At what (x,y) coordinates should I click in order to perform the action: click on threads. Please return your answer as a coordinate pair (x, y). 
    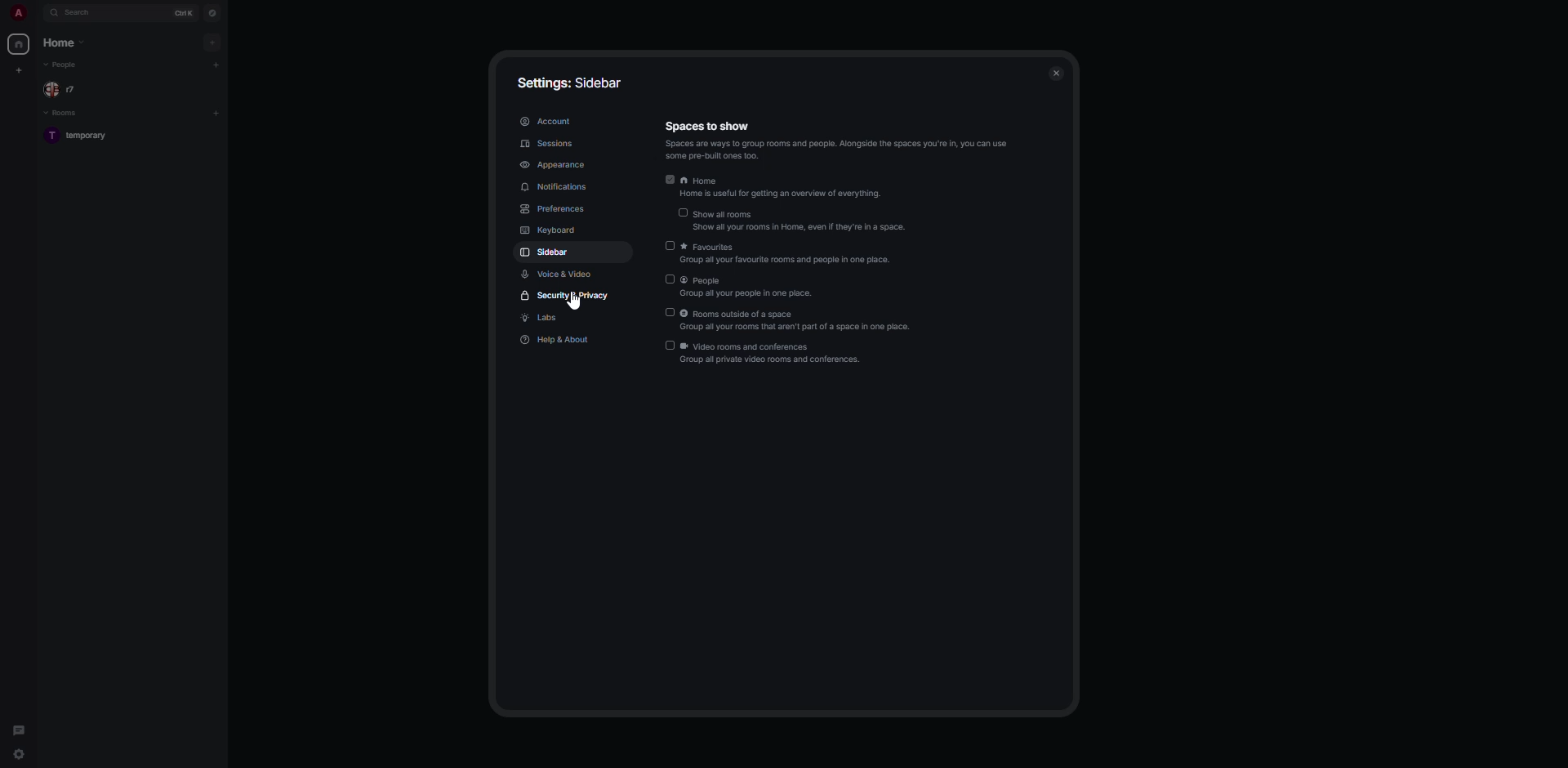
    Looking at the image, I should click on (18, 726).